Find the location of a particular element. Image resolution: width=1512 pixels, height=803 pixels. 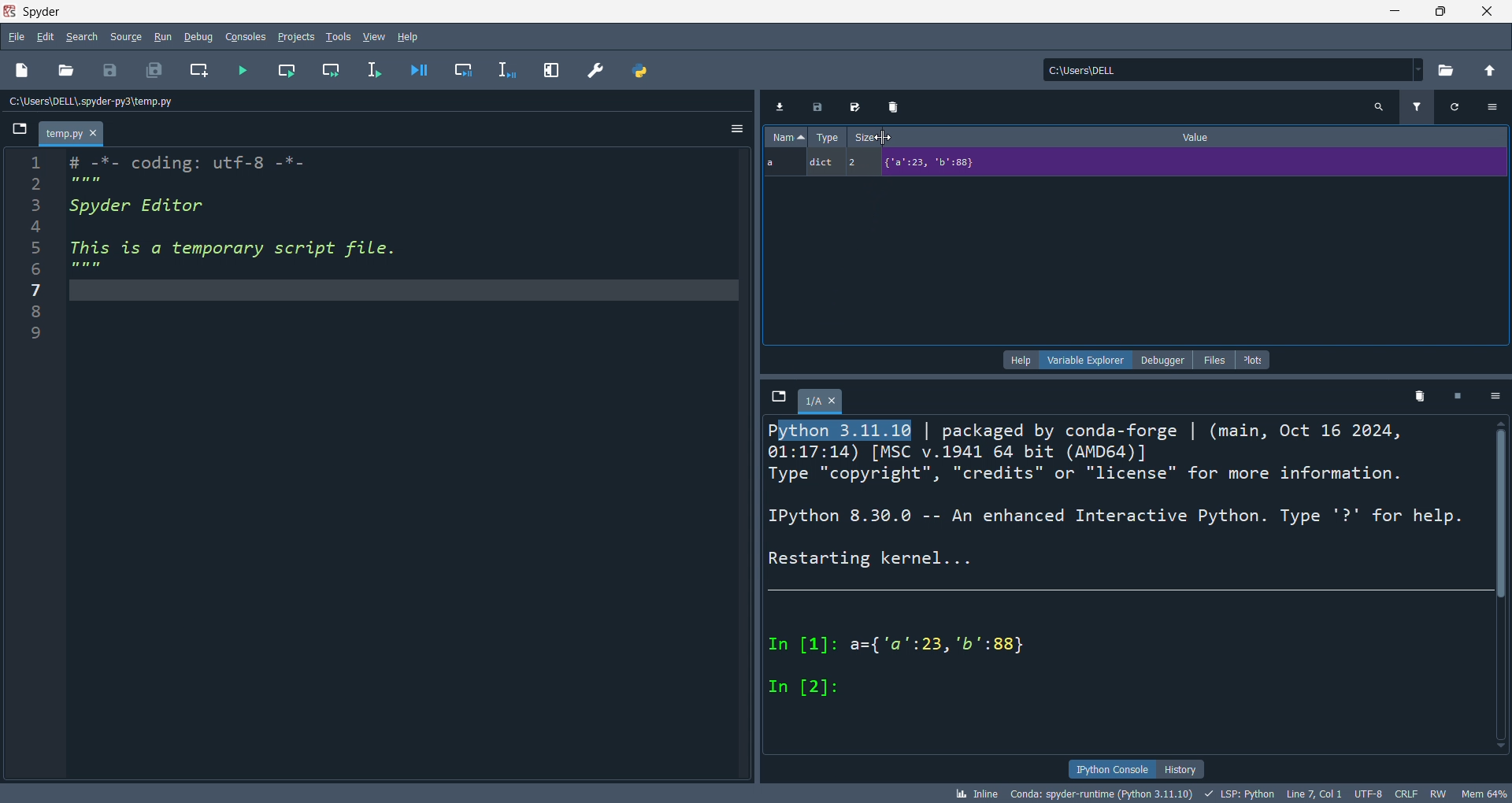

open parent directory is located at coordinates (1487, 70).